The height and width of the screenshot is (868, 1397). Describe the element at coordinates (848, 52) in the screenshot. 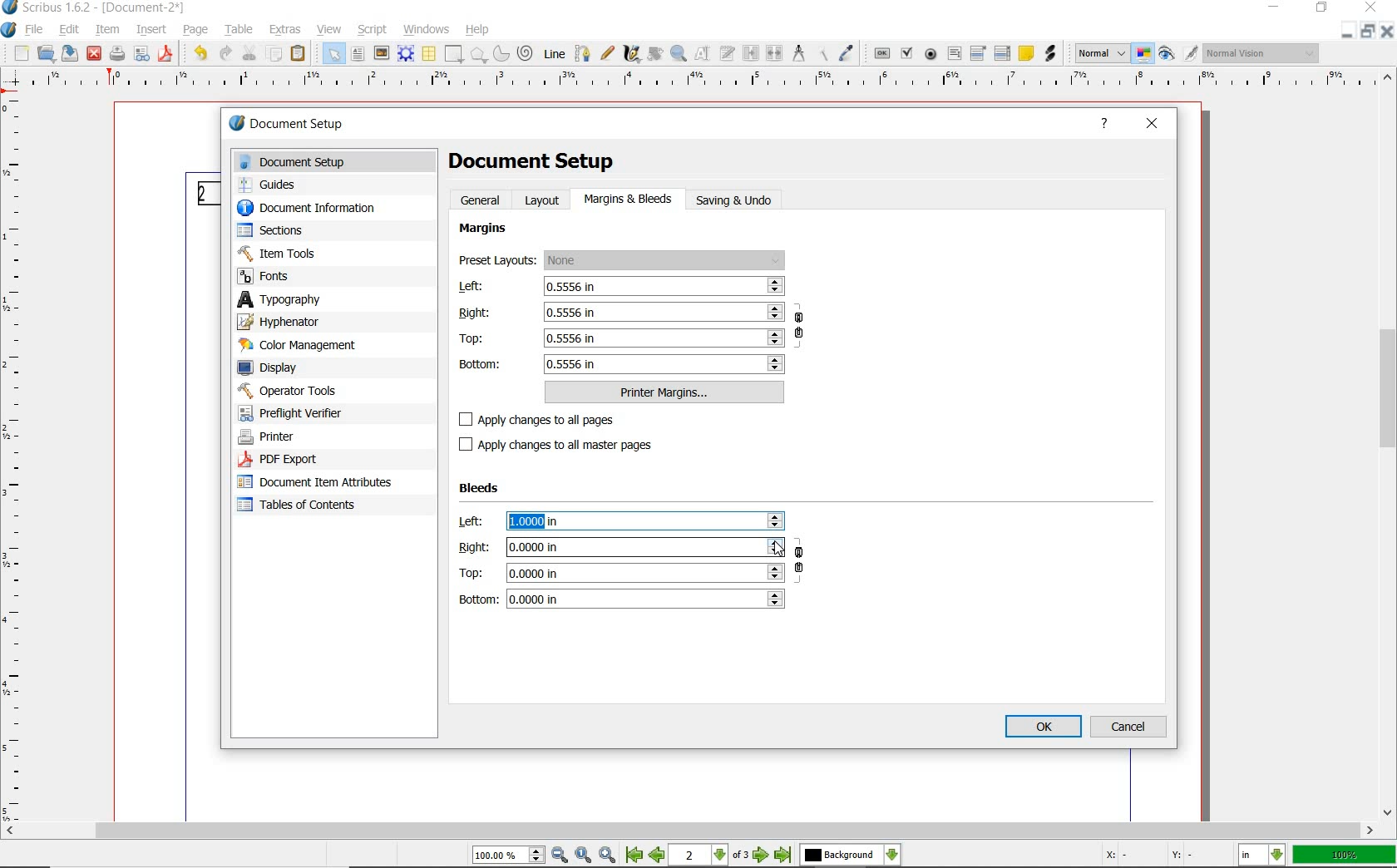

I see `eye dropper` at that location.